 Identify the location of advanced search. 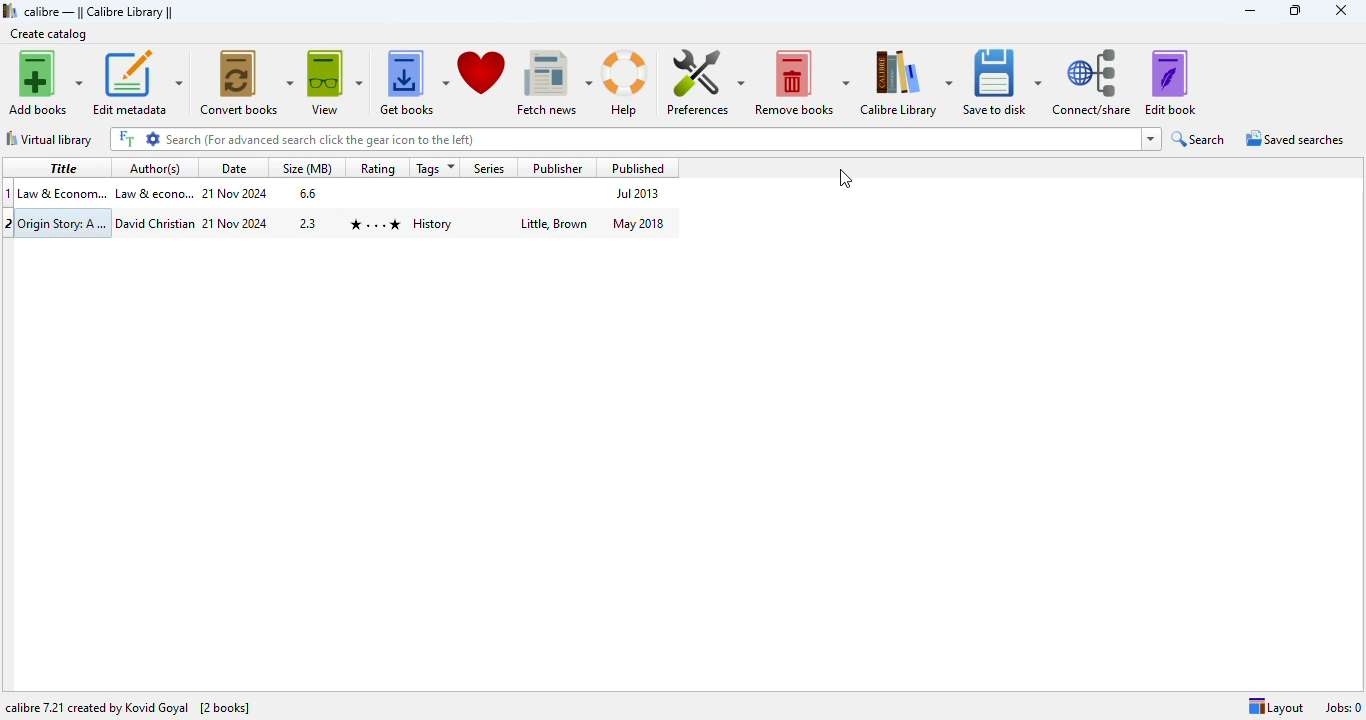
(153, 138).